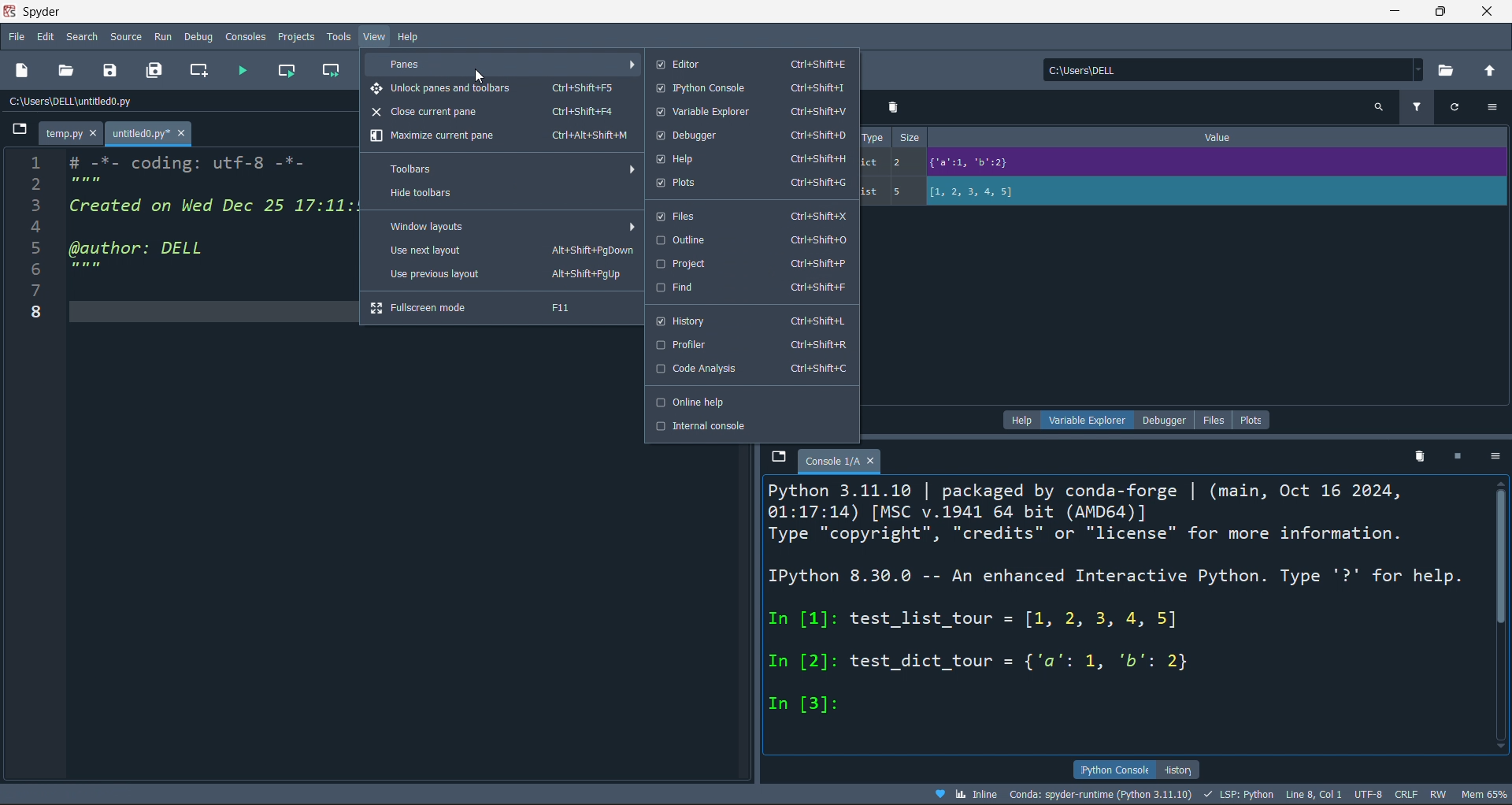  Describe the element at coordinates (287, 72) in the screenshot. I see `run cell` at that location.